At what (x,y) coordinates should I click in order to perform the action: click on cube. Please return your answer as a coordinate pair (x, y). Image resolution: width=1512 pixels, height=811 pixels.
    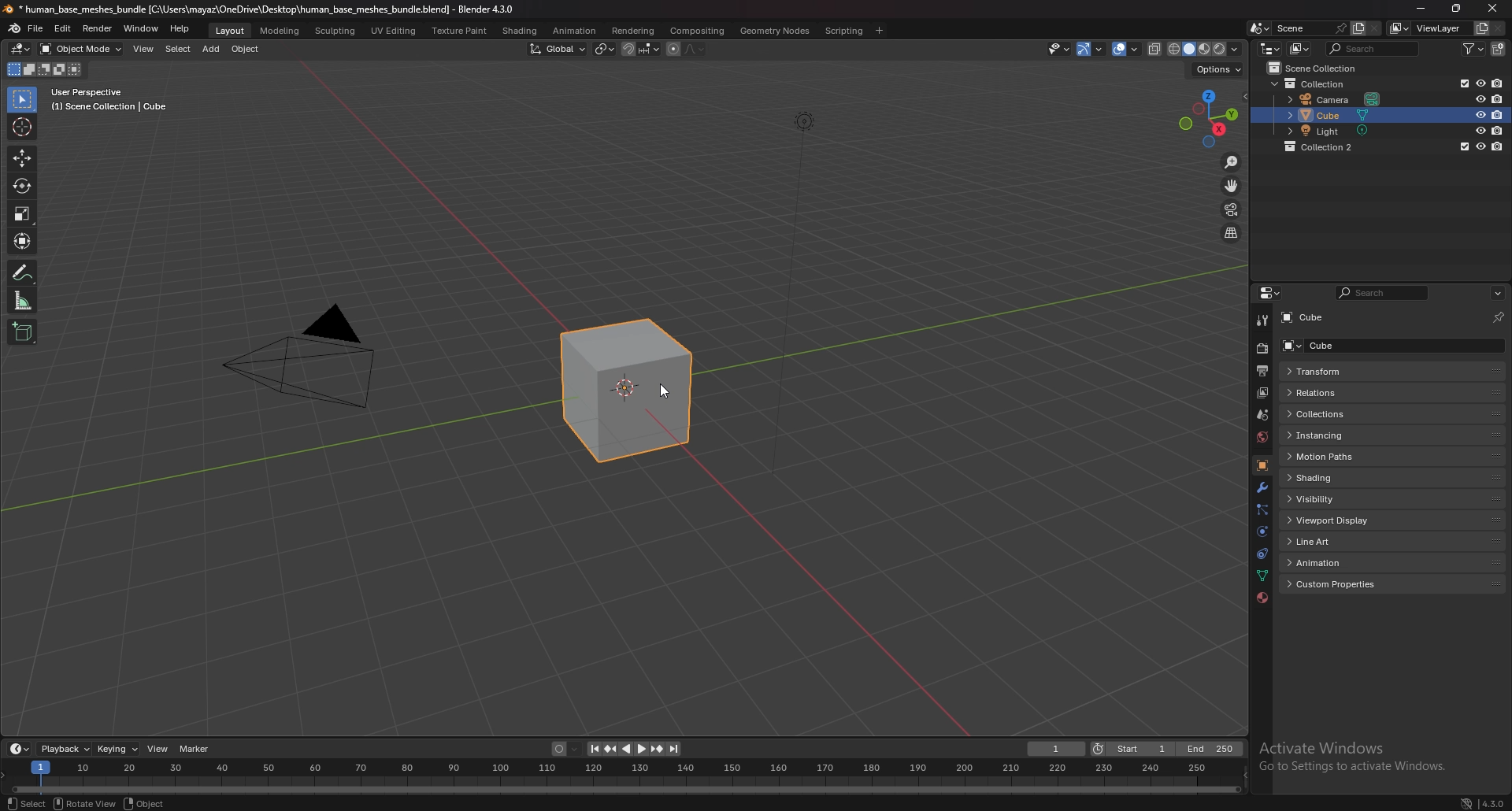
    Looking at the image, I should click on (1340, 345).